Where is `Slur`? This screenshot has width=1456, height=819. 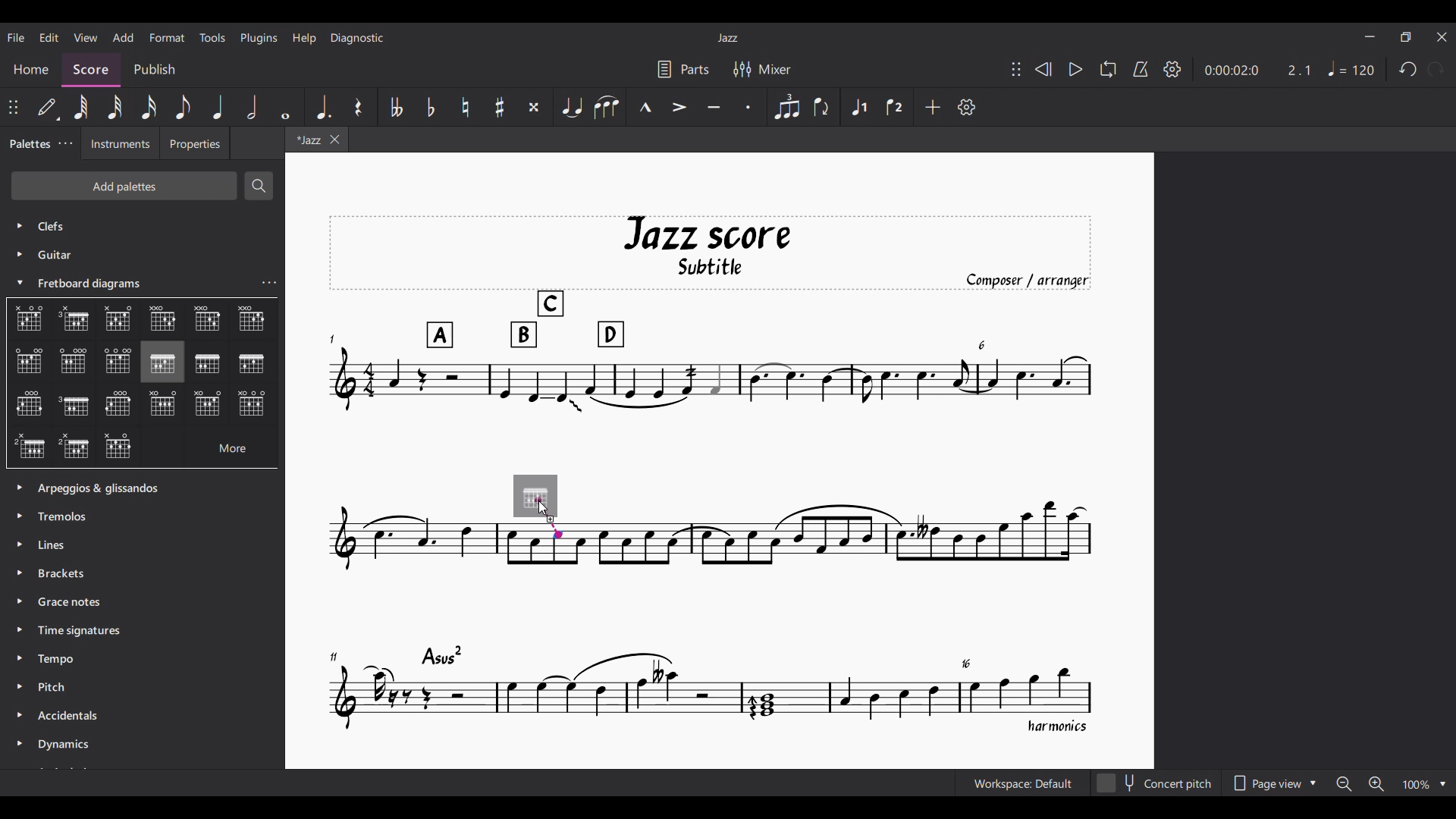 Slur is located at coordinates (606, 108).